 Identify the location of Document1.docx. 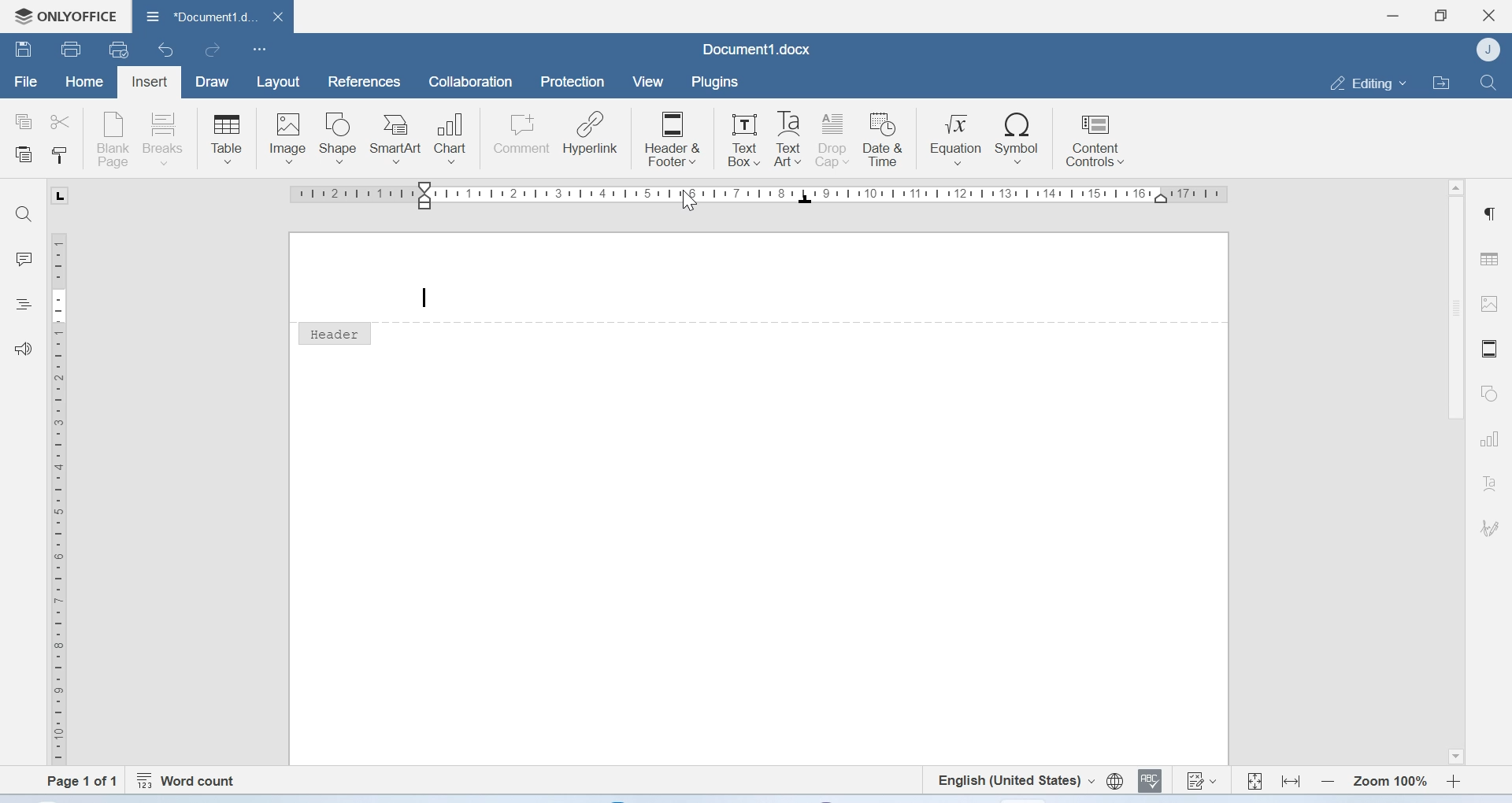
(213, 18).